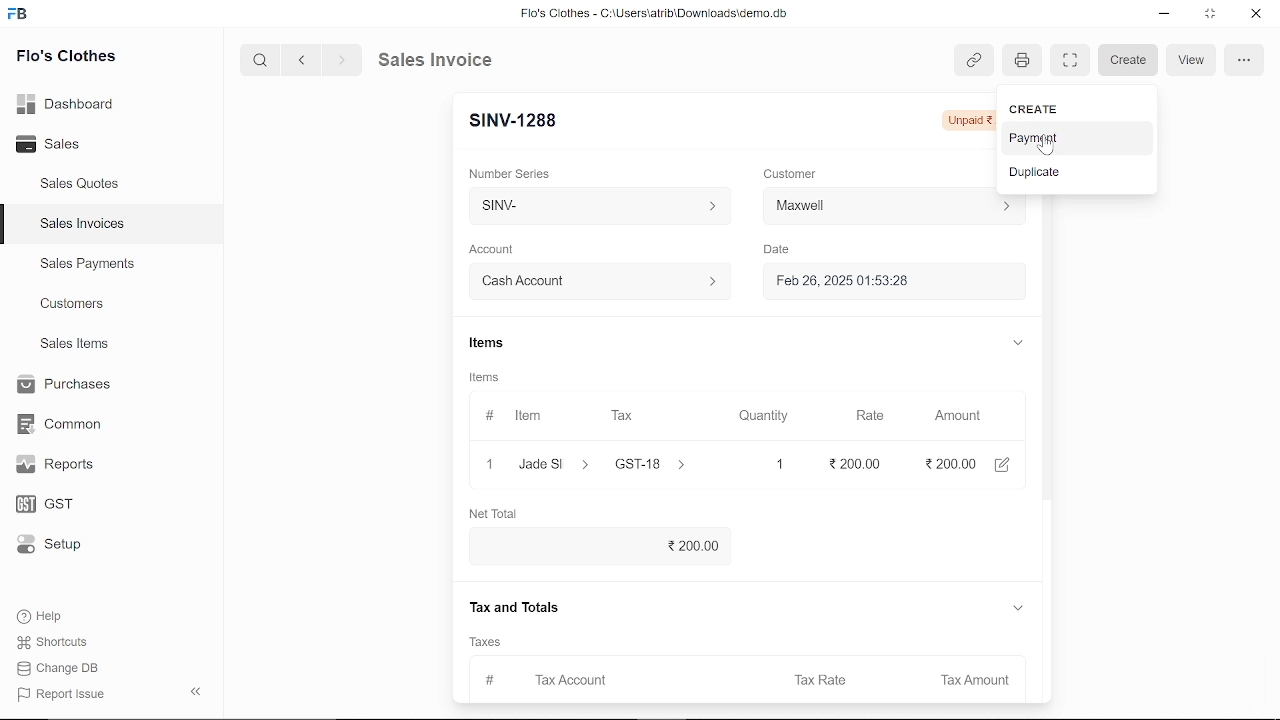 The image size is (1280, 720). Describe the element at coordinates (1050, 355) in the screenshot. I see `vertical scrollbar` at that location.